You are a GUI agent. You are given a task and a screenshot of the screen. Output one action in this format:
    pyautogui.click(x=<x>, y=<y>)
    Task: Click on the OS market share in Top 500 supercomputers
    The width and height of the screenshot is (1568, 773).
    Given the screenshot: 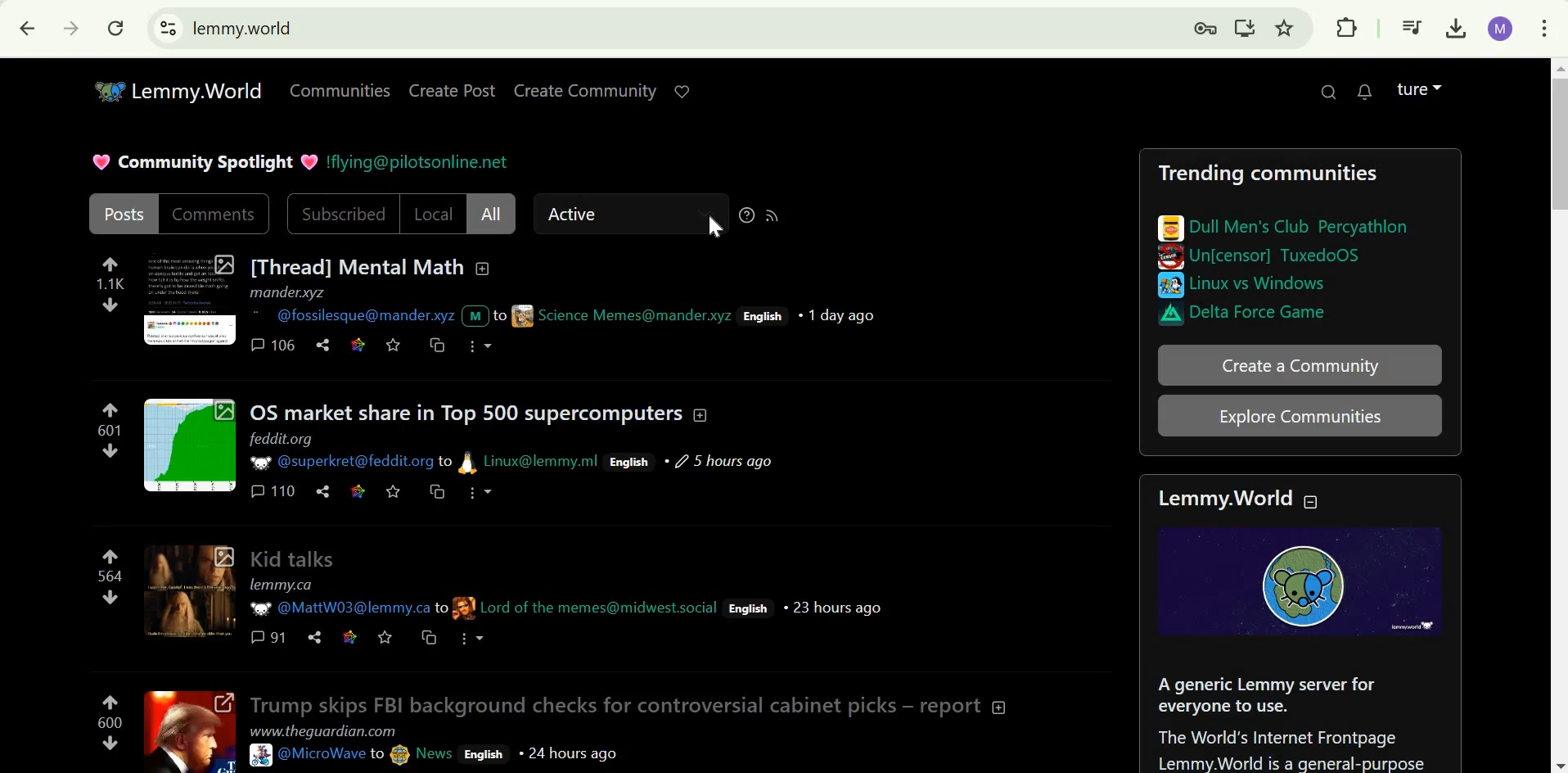 What is the action you would take?
    pyautogui.click(x=469, y=412)
    